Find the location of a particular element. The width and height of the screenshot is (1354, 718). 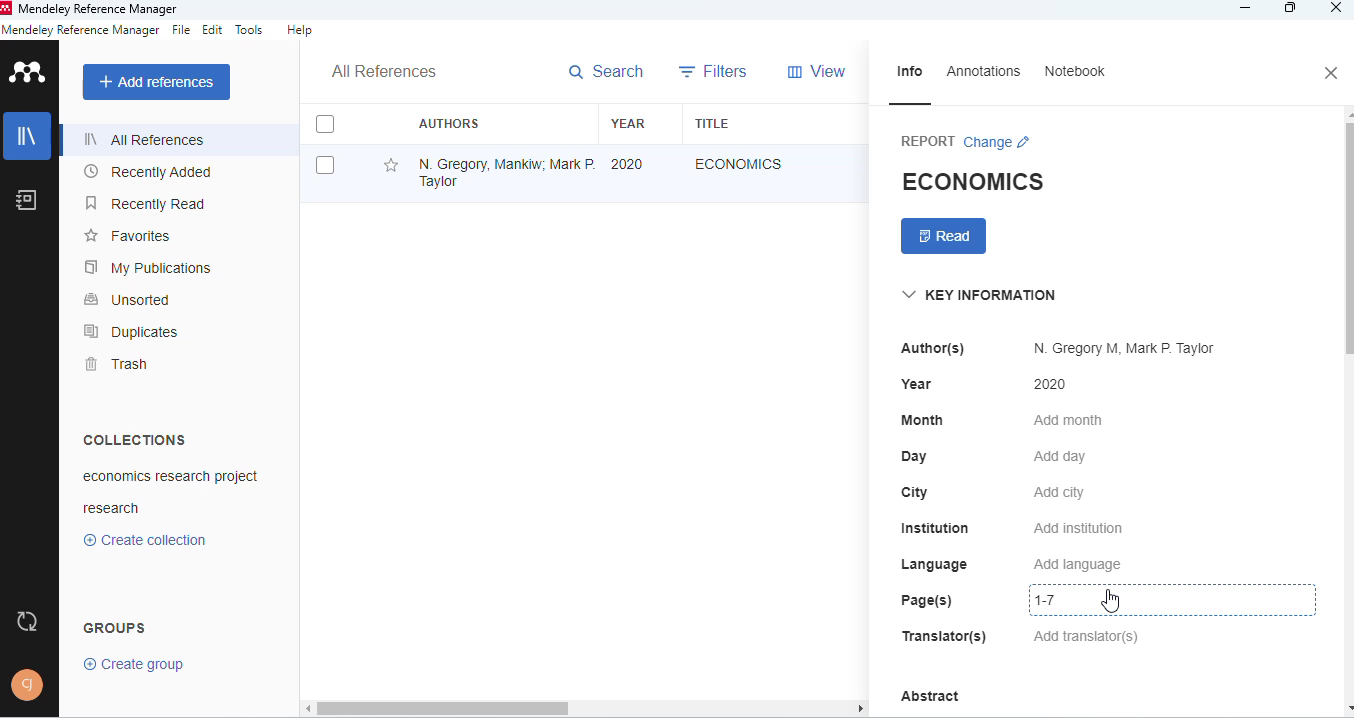

year is located at coordinates (629, 124).